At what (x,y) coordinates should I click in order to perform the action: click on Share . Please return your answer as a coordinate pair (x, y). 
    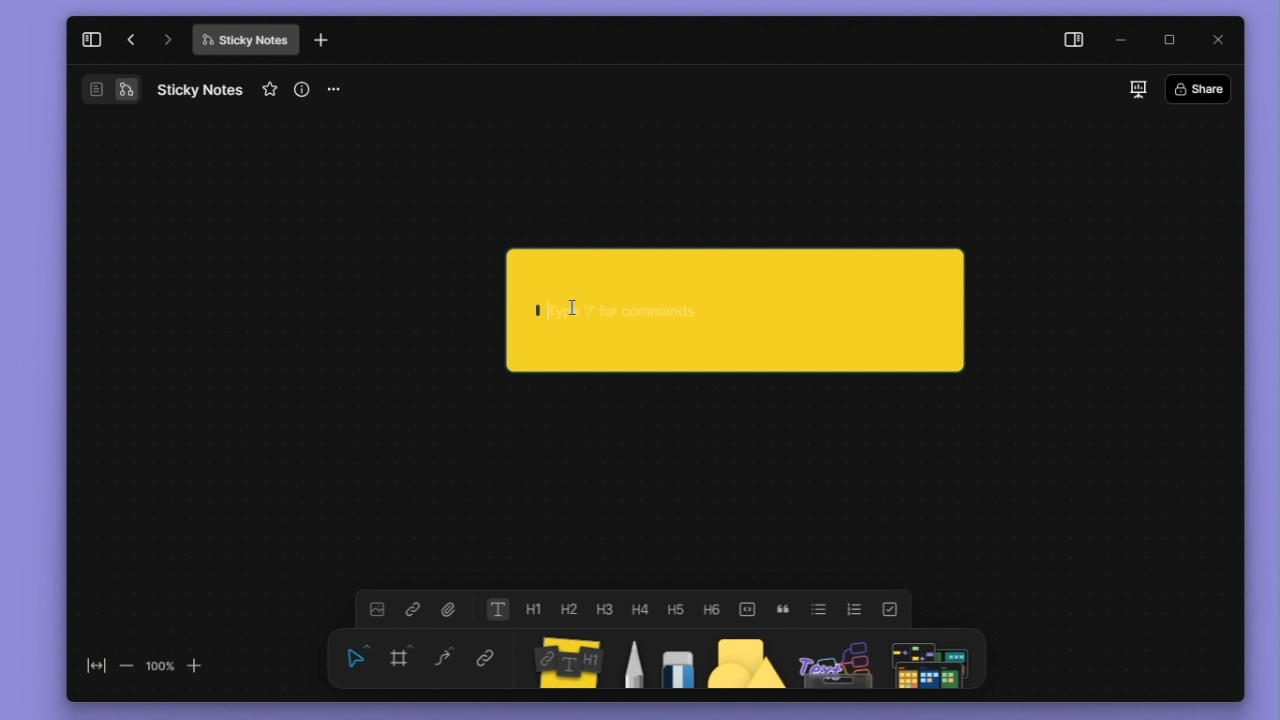
    Looking at the image, I should click on (1198, 89).